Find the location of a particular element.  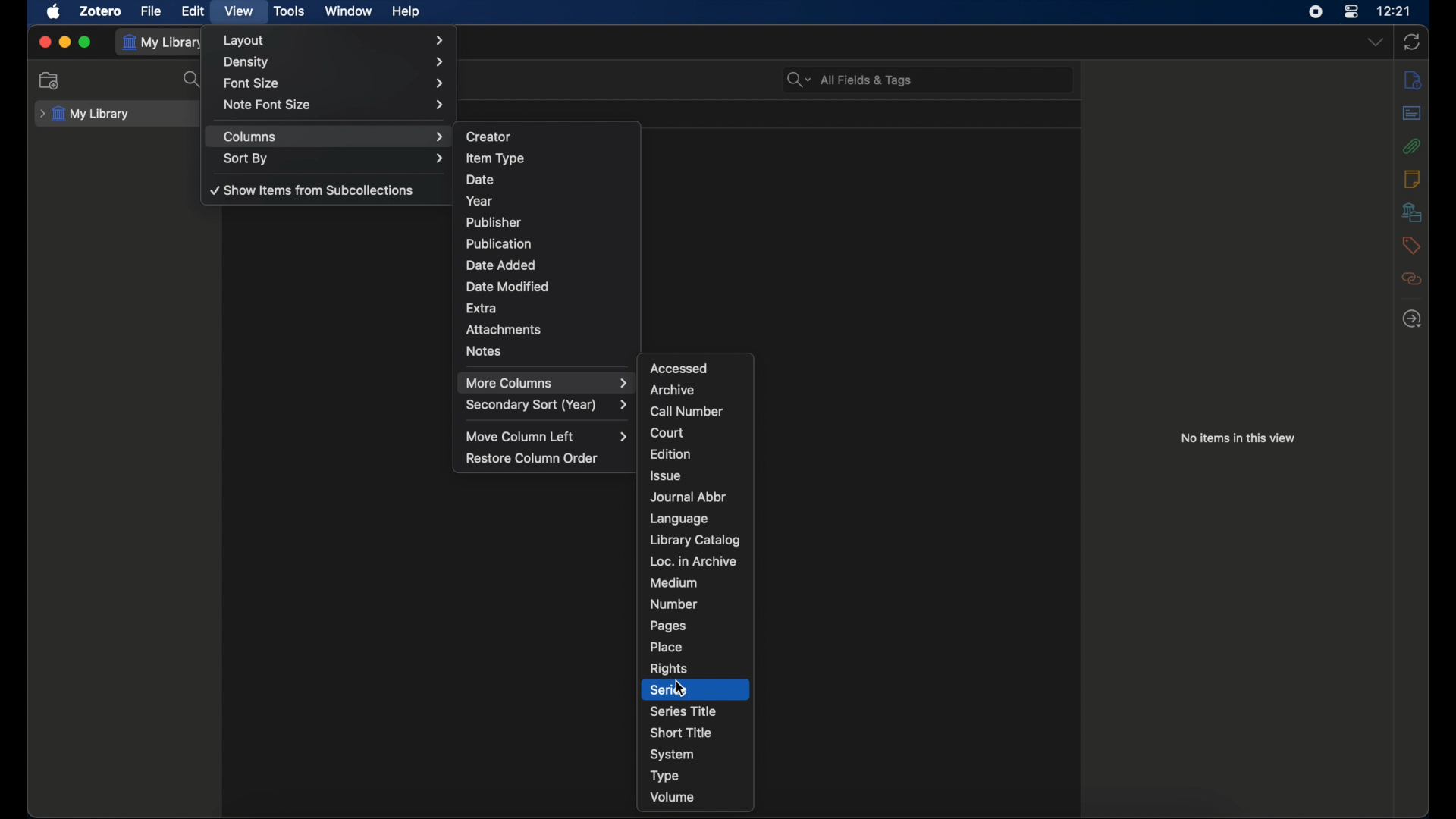

my library is located at coordinates (164, 42).